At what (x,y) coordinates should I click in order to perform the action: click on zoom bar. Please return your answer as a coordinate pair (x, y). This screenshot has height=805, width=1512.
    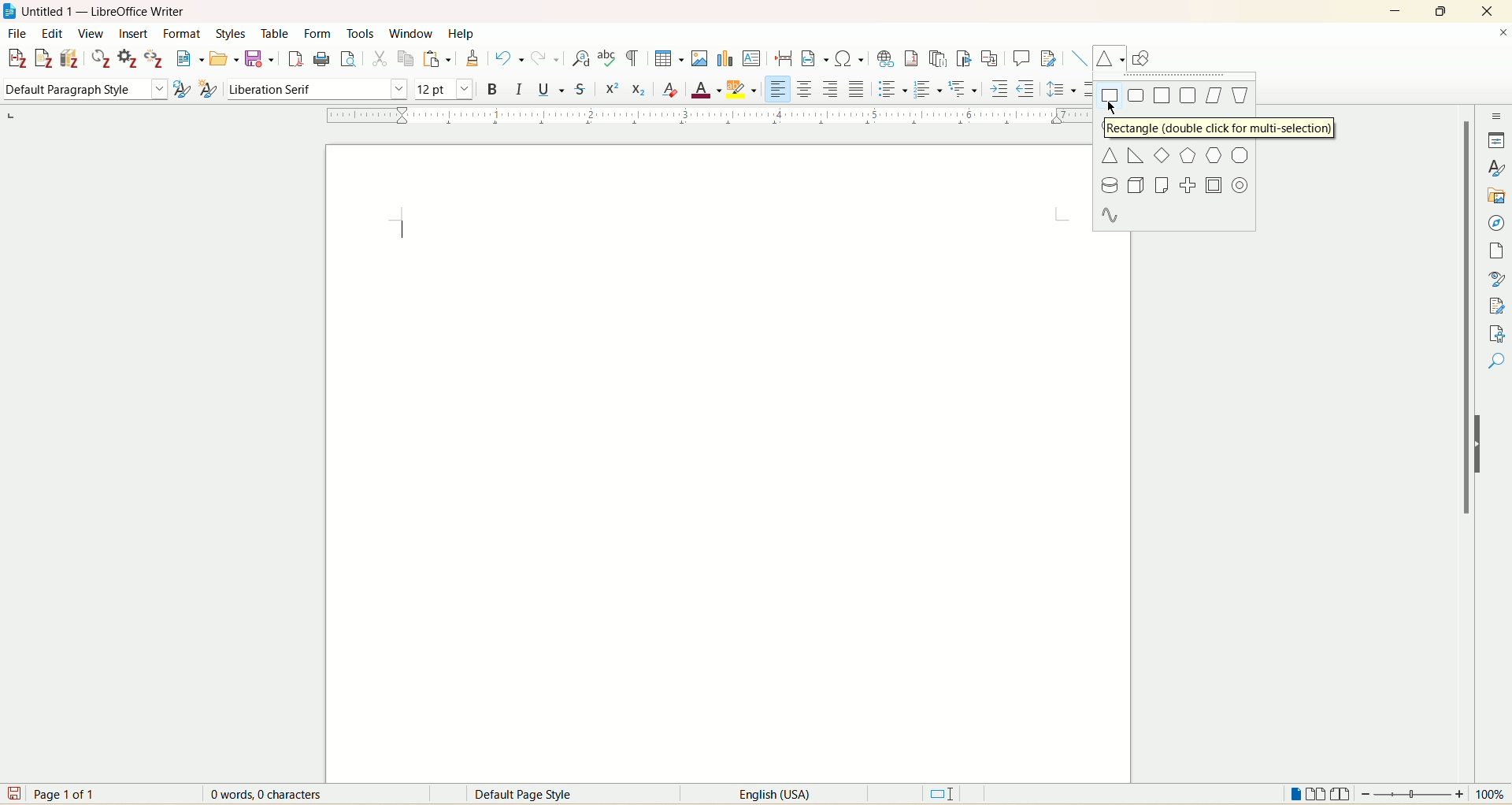
    Looking at the image, I should click on (1413, 793).